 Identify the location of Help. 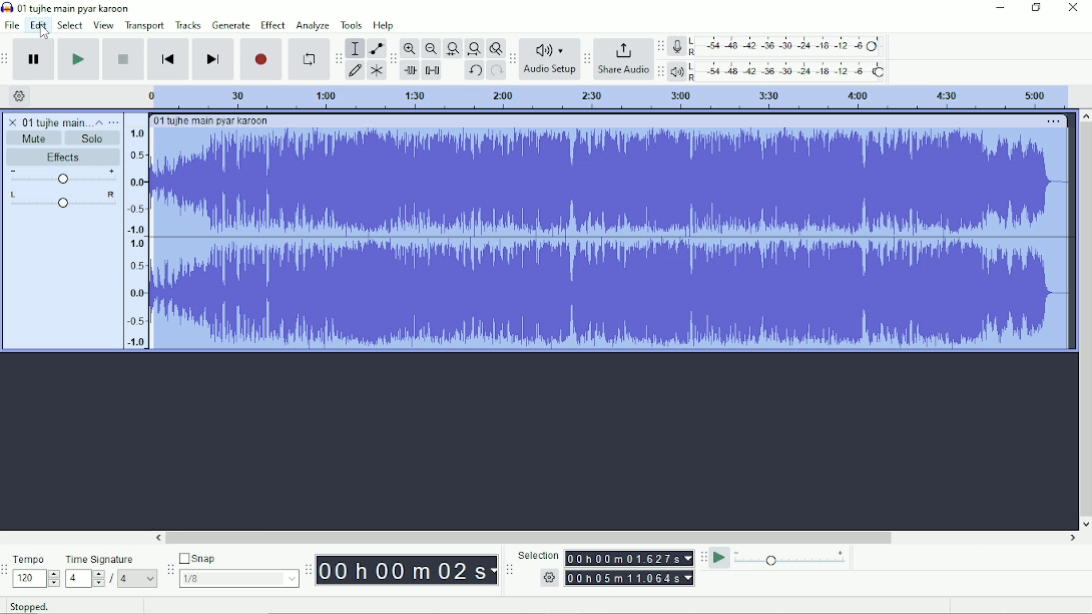
(385, 25).